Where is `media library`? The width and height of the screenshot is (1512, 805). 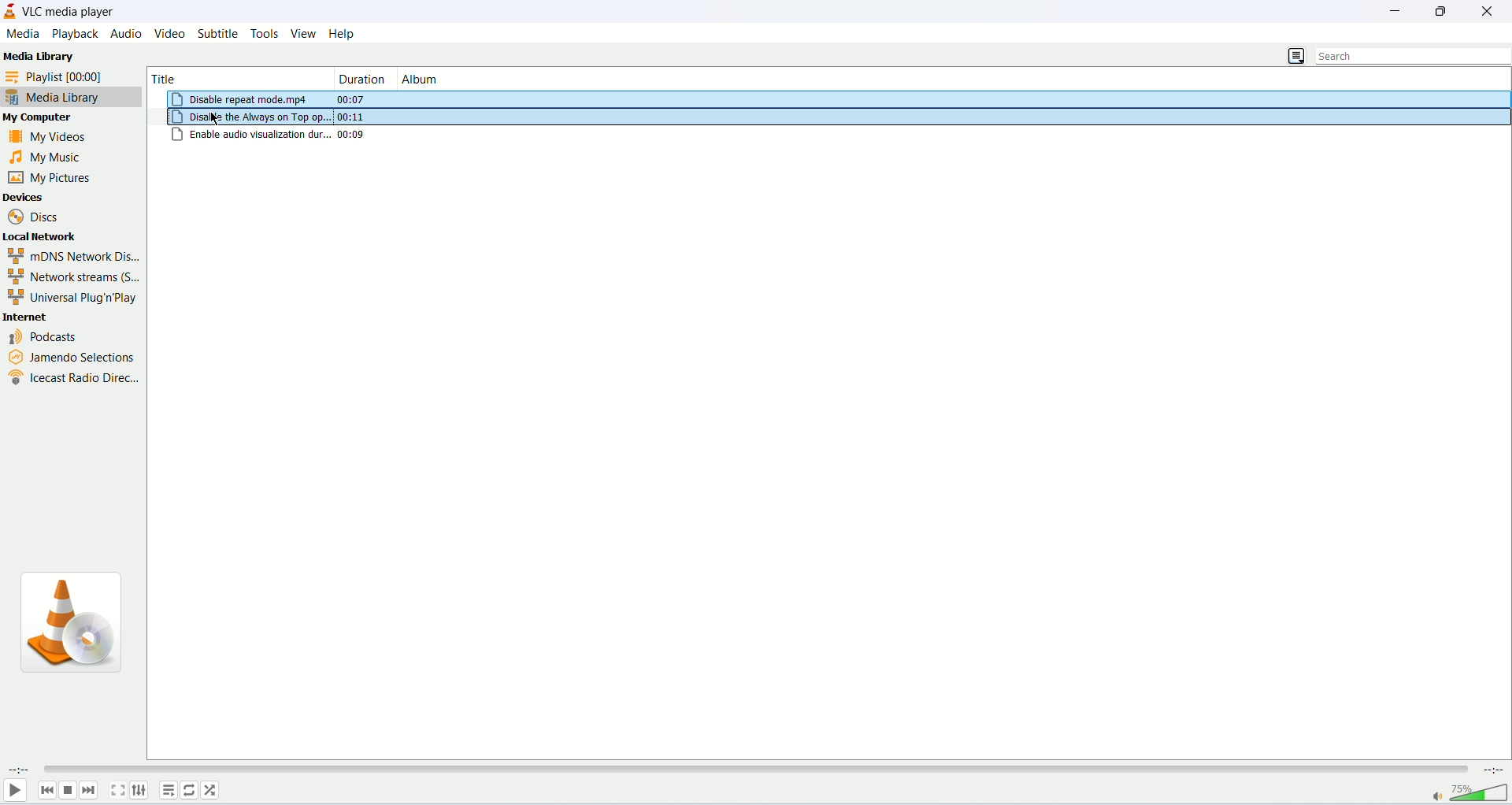 media library is located at coordinates (72, 98).